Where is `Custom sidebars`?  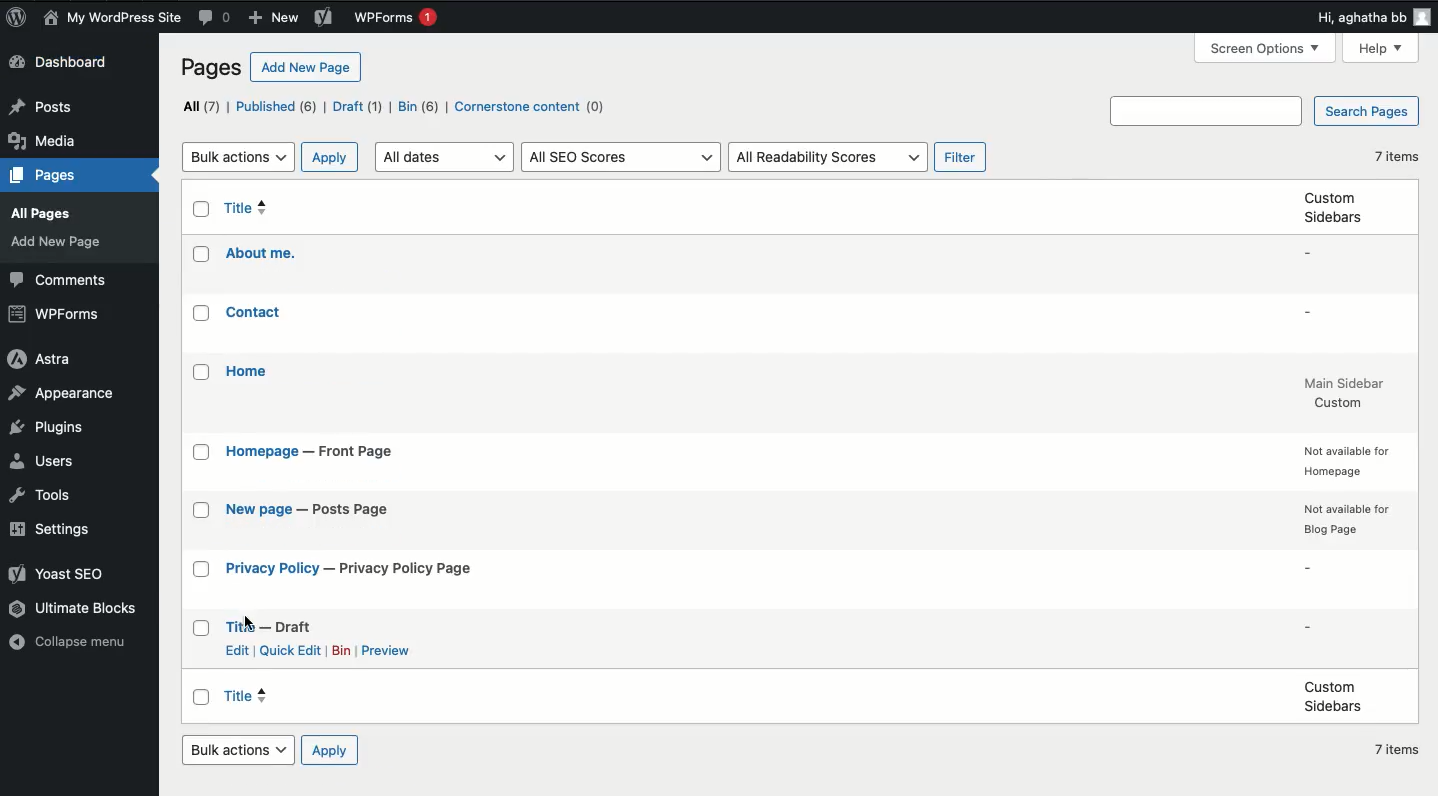 Custom sidebars is located at coordinates (1335, 696).